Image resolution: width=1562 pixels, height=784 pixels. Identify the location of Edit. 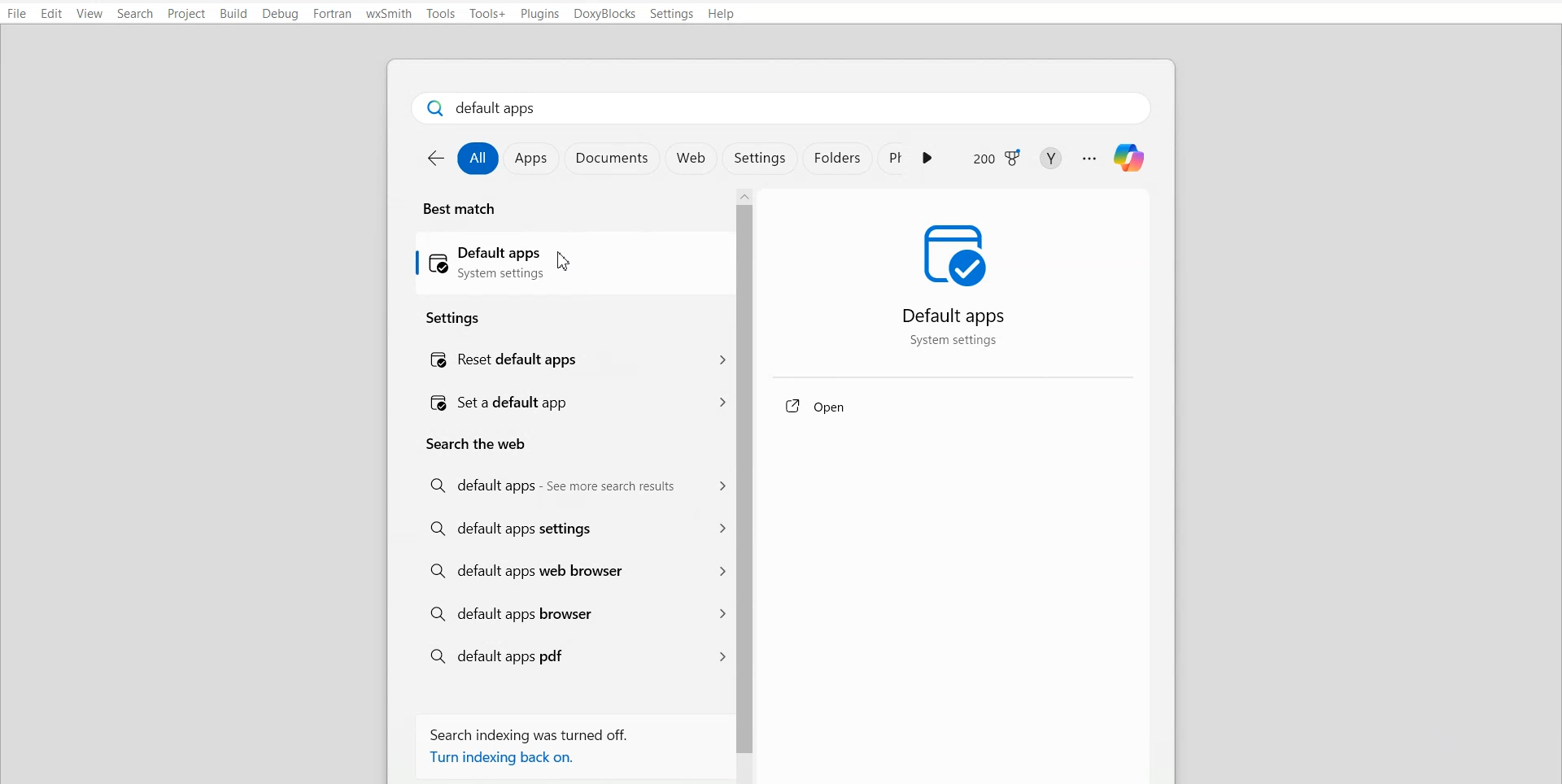
(52, 13).